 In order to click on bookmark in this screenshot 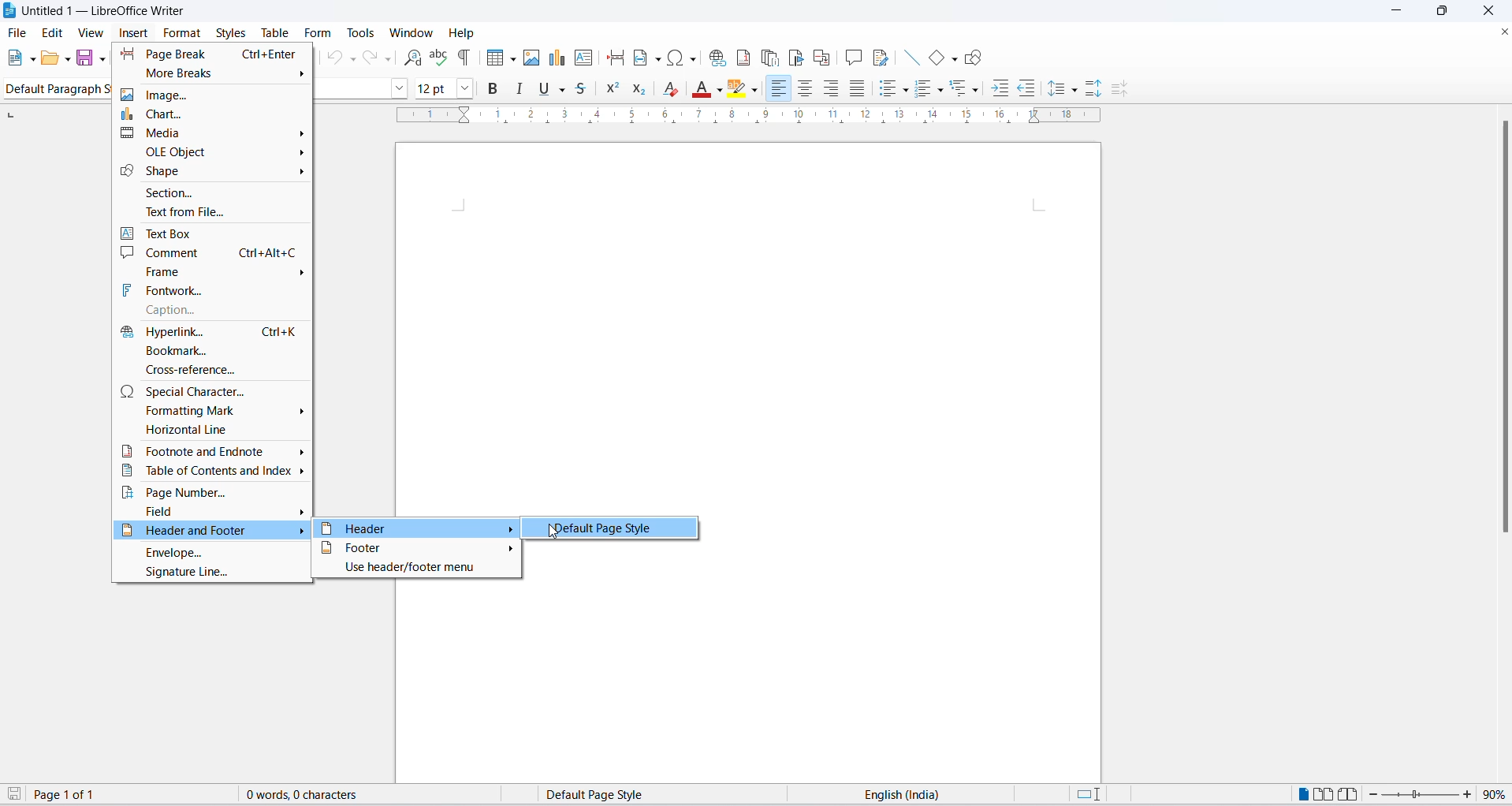, I will do `click(208, 349)`.